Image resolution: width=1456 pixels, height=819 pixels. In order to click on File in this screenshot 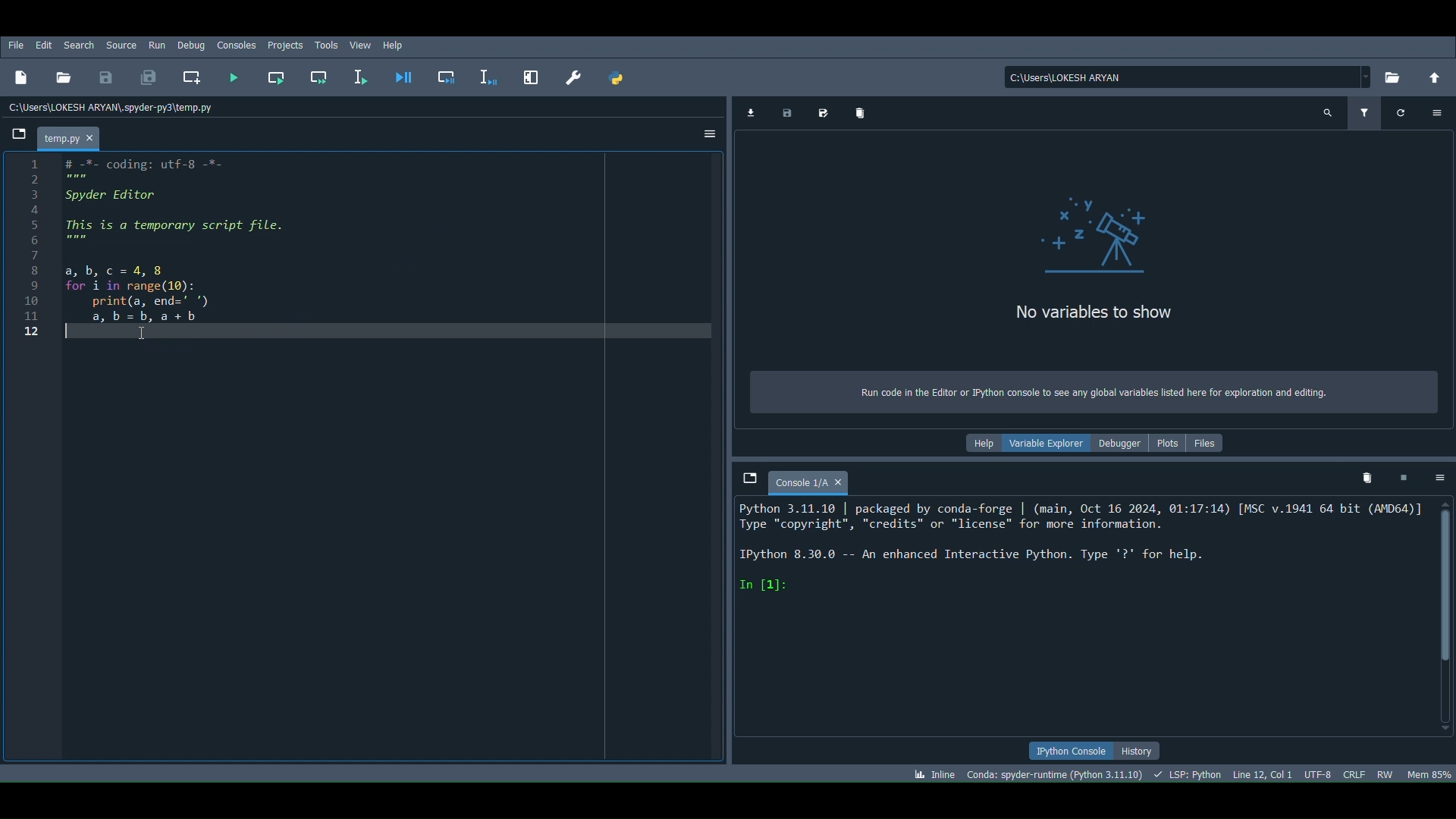, I will do `click(17, 47)`.